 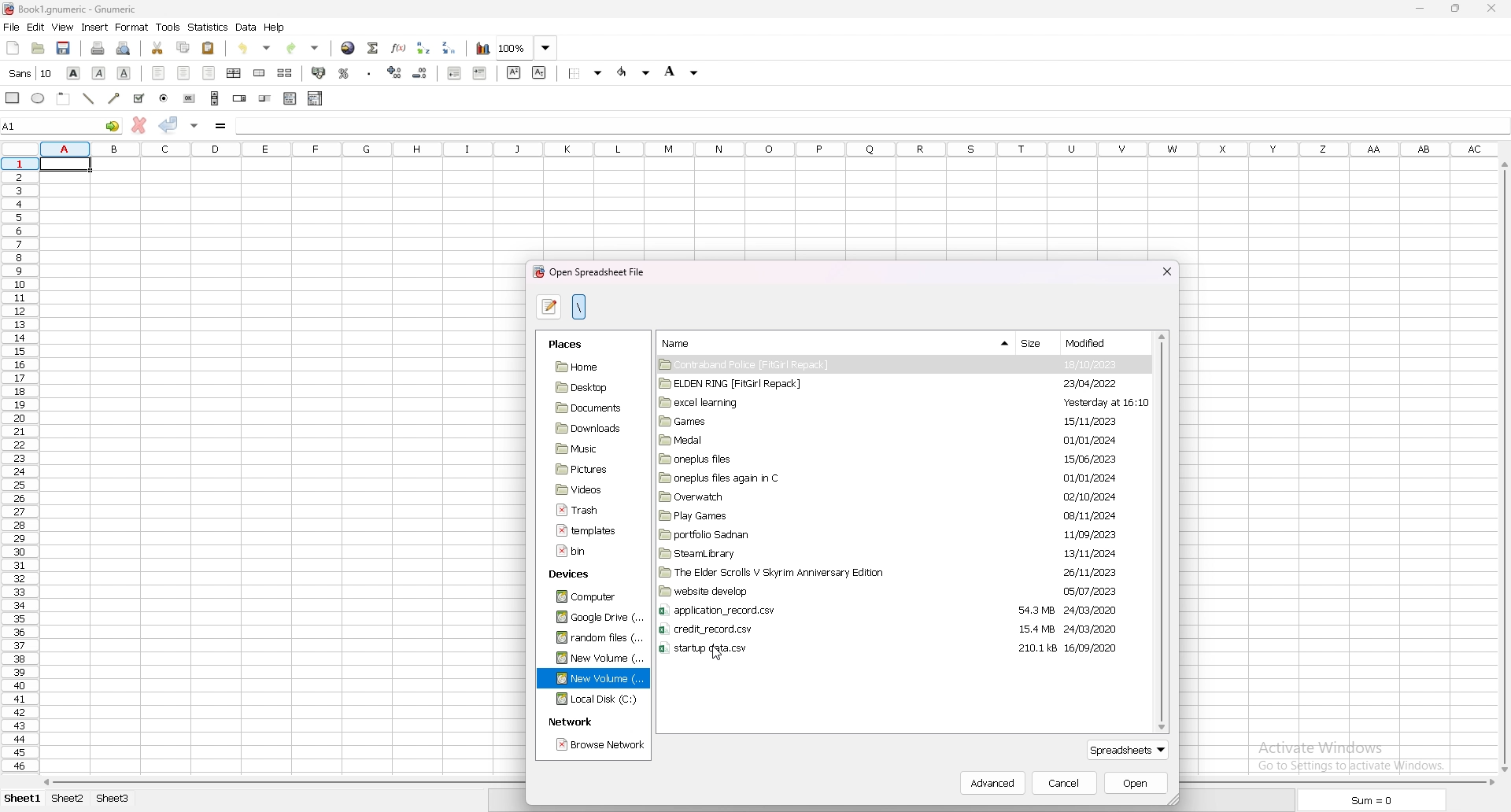 What do you see at coordinates (1089, 592) in the screenshot?
I see `05/07/2023` at bounding box center [1089, 592].